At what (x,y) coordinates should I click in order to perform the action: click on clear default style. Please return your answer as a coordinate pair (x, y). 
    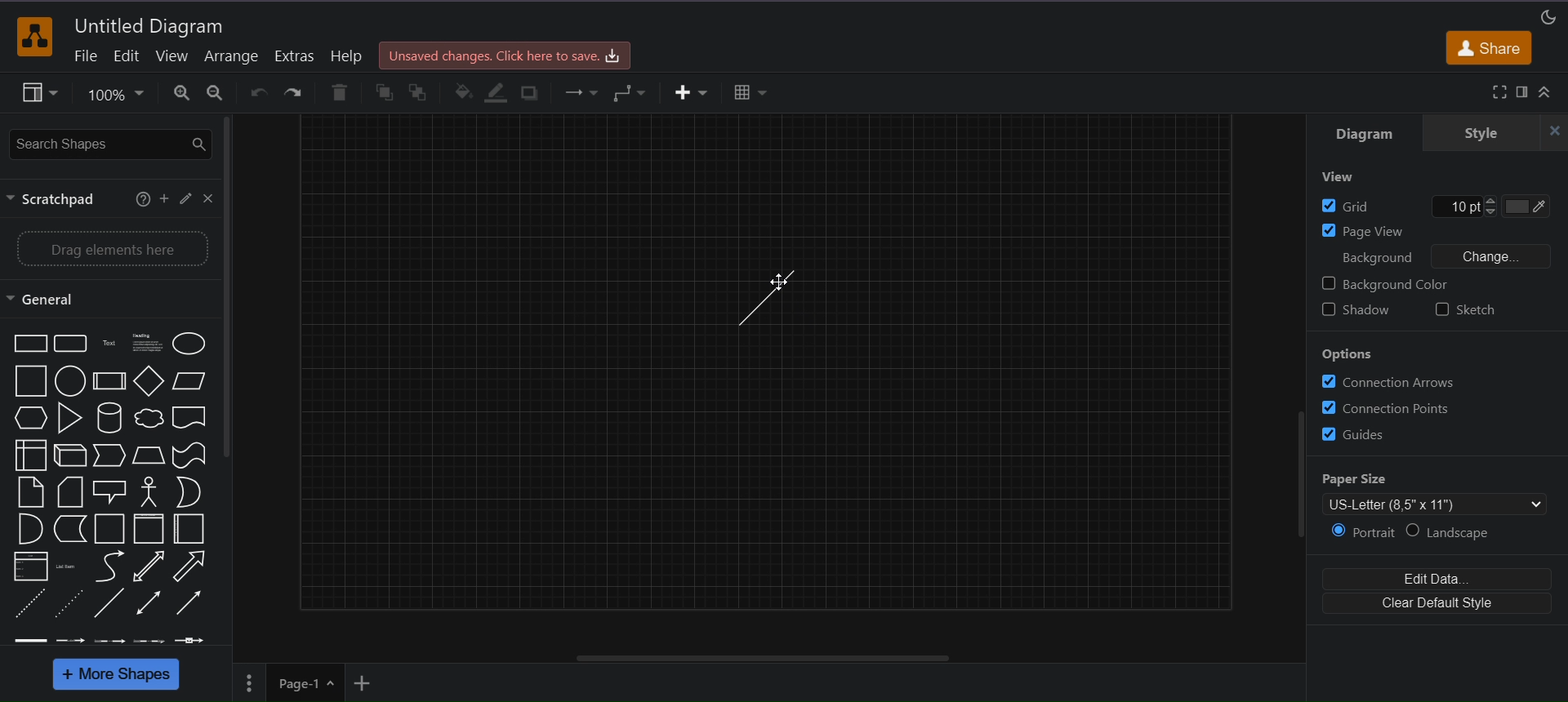
    Looking at the image, I should click on (1437, 605).